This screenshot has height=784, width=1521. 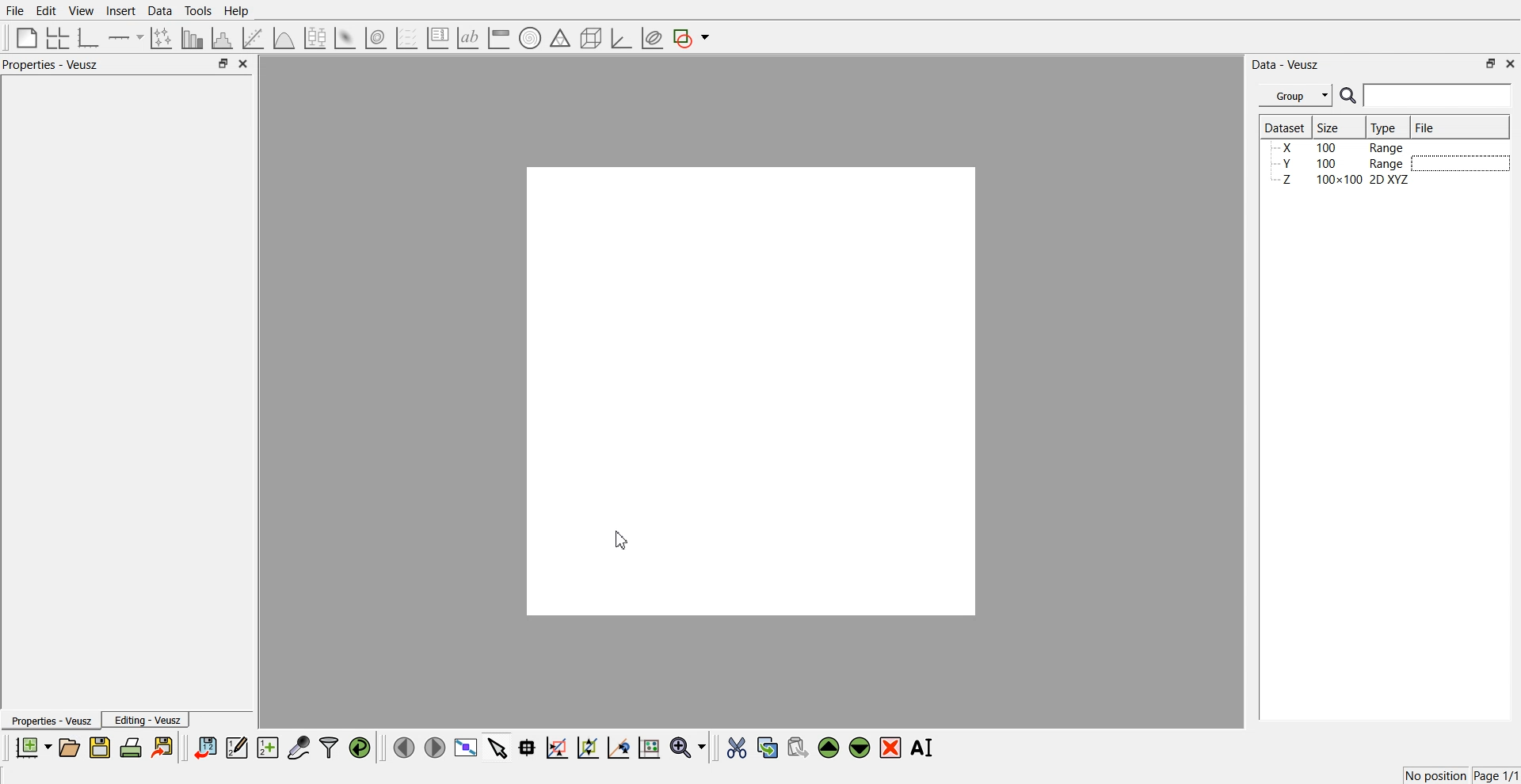 What do you see at coordinates (32, 747) in the screenshot?
I see `New document` at bounding box center [32, 747].